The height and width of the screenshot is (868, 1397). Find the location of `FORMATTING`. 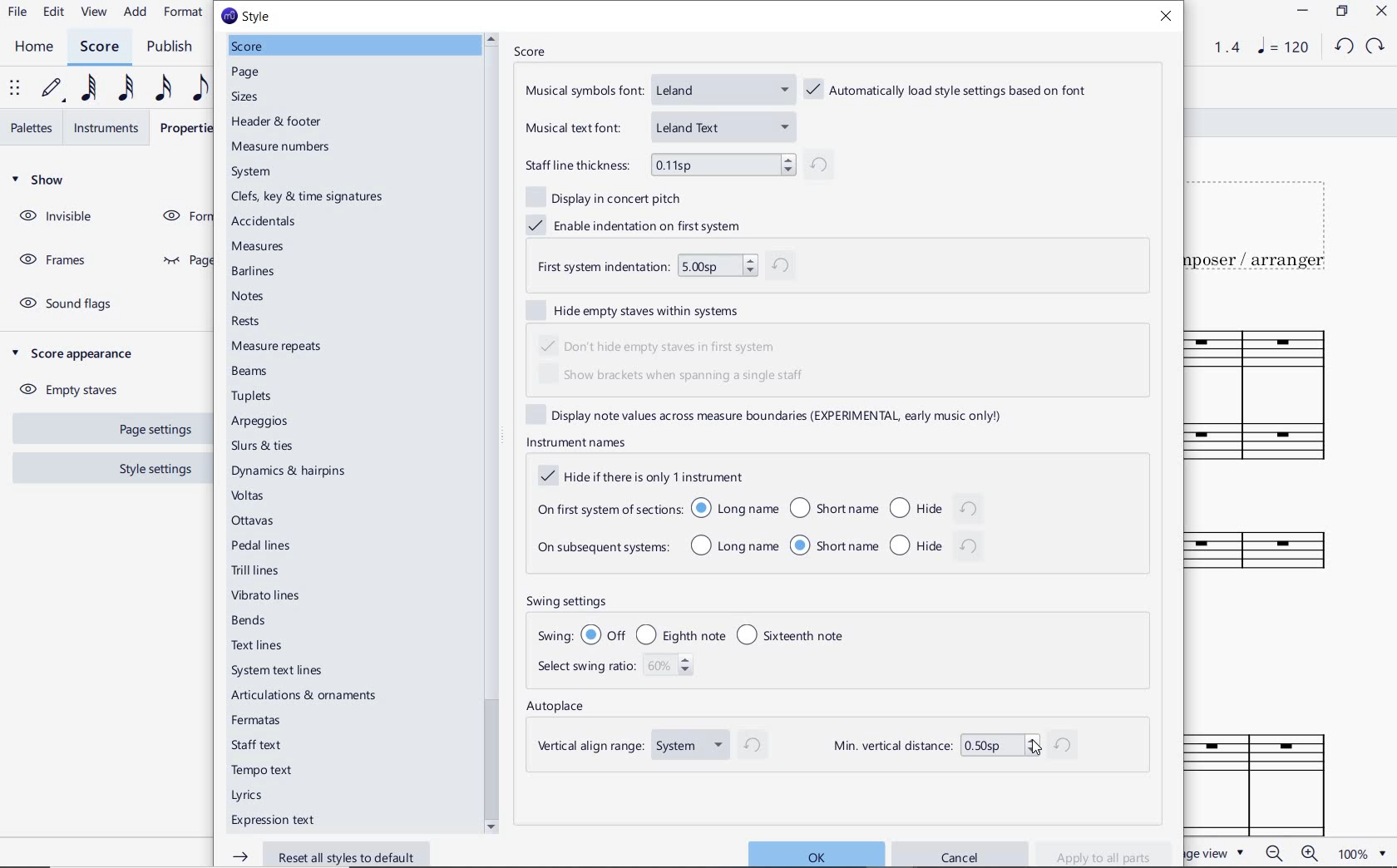

FORMATTING is located at coordinates (183, 217).